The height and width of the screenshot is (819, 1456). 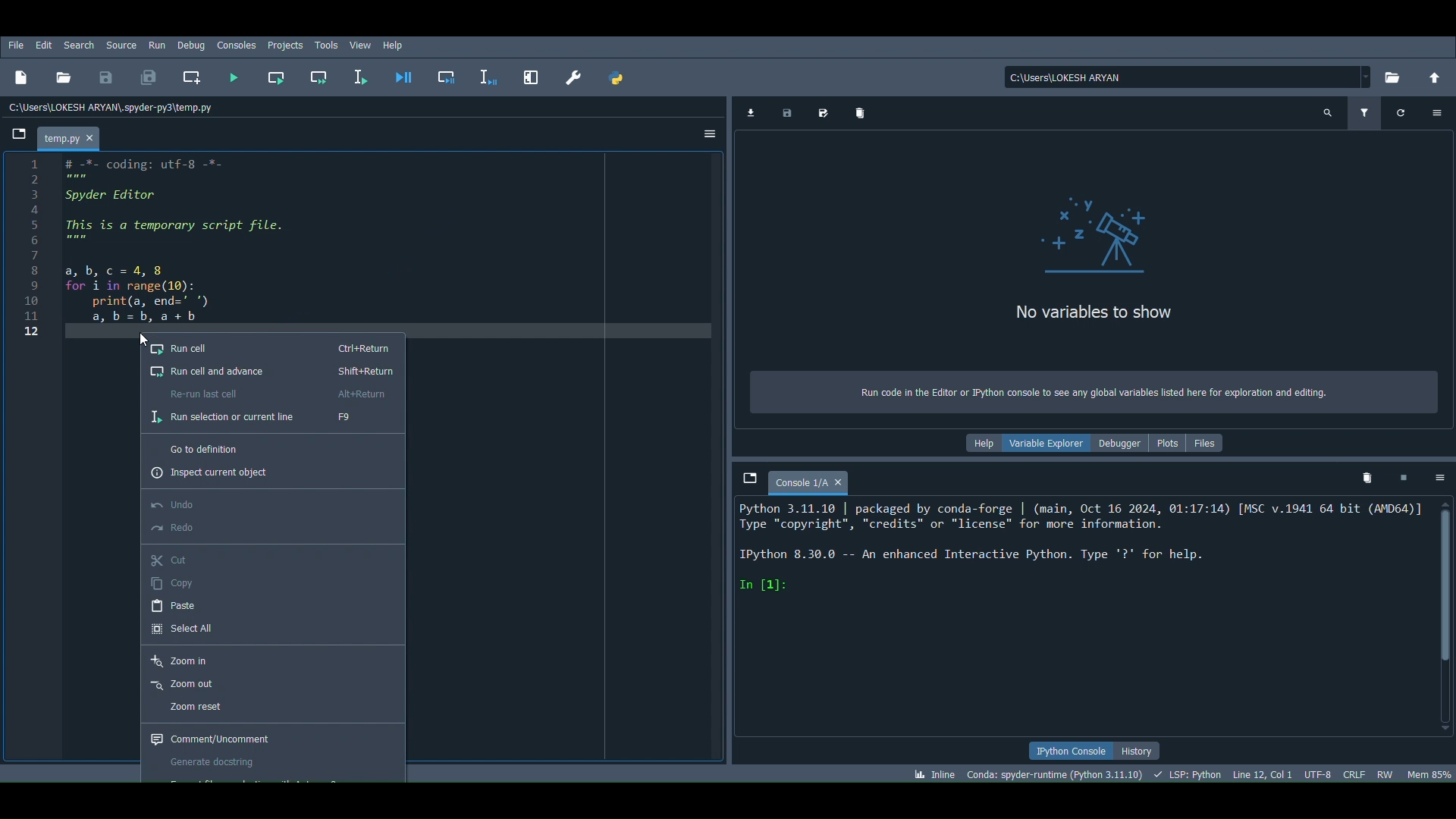 What do you see at coordinates (268, 605) in the screenshot?
I see `Paste` at bounding box center [268, 605].